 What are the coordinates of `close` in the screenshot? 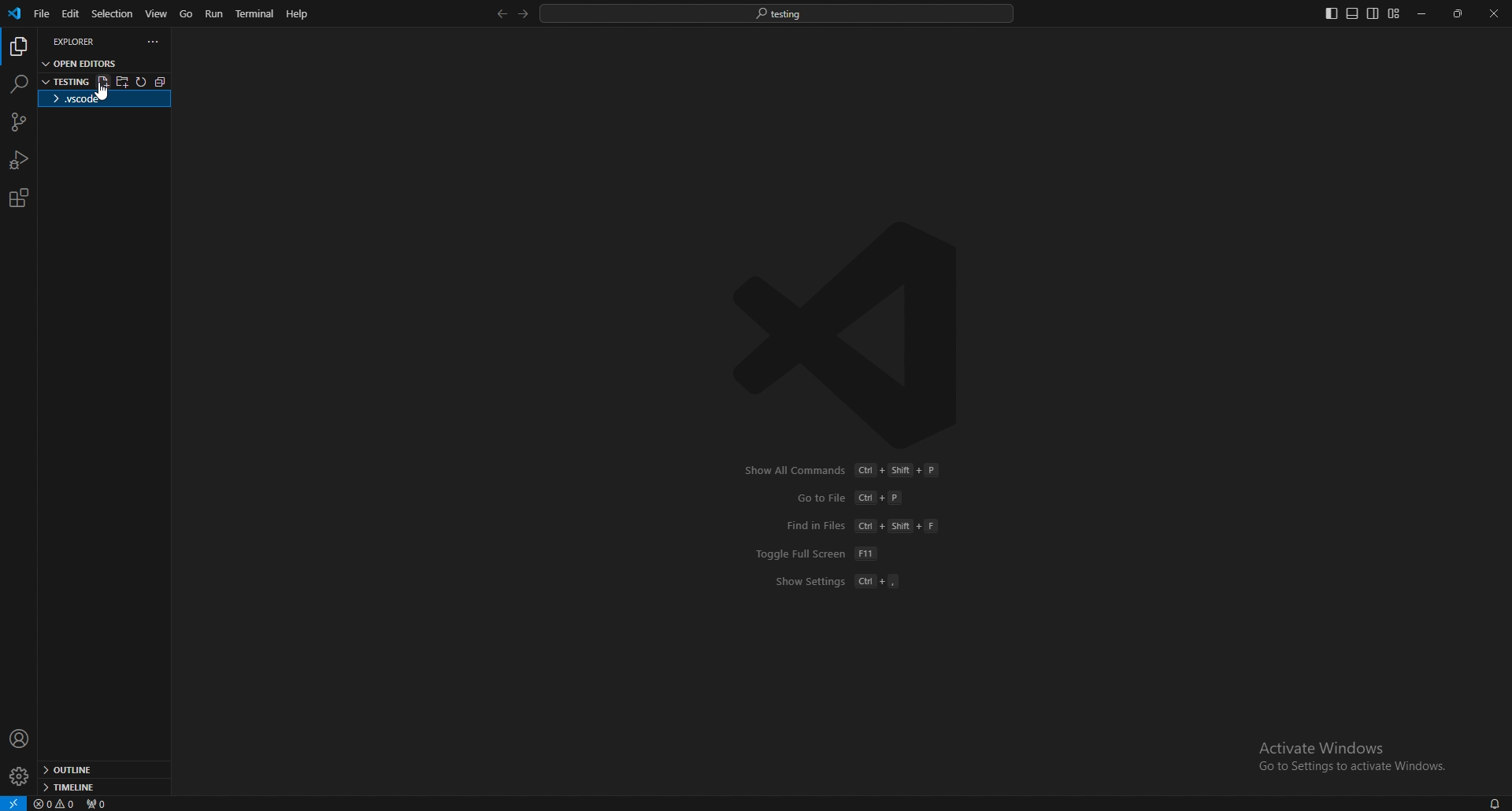 It's located at (1494, 13).